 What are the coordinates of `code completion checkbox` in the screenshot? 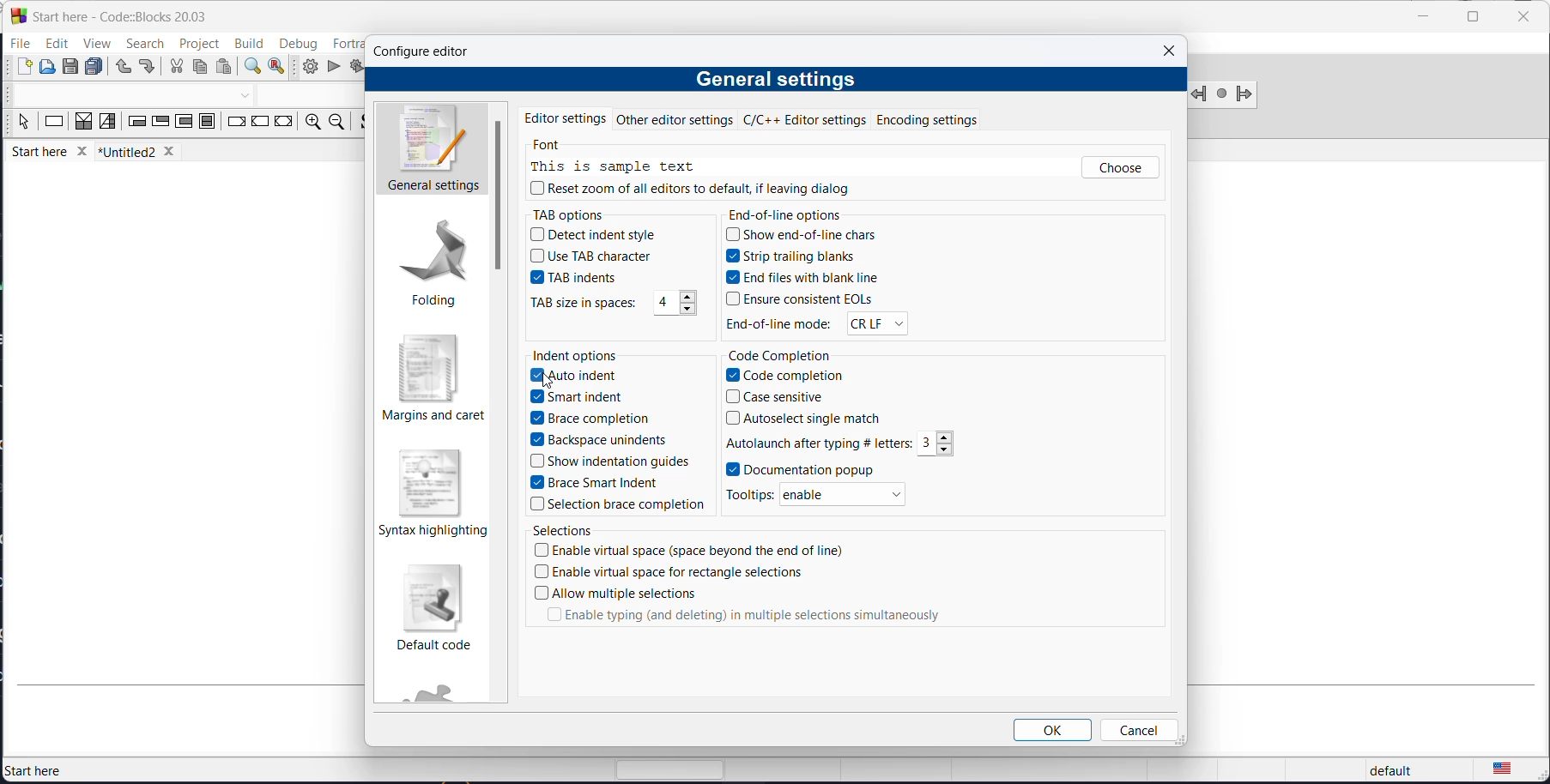 It's located at (786, 375).